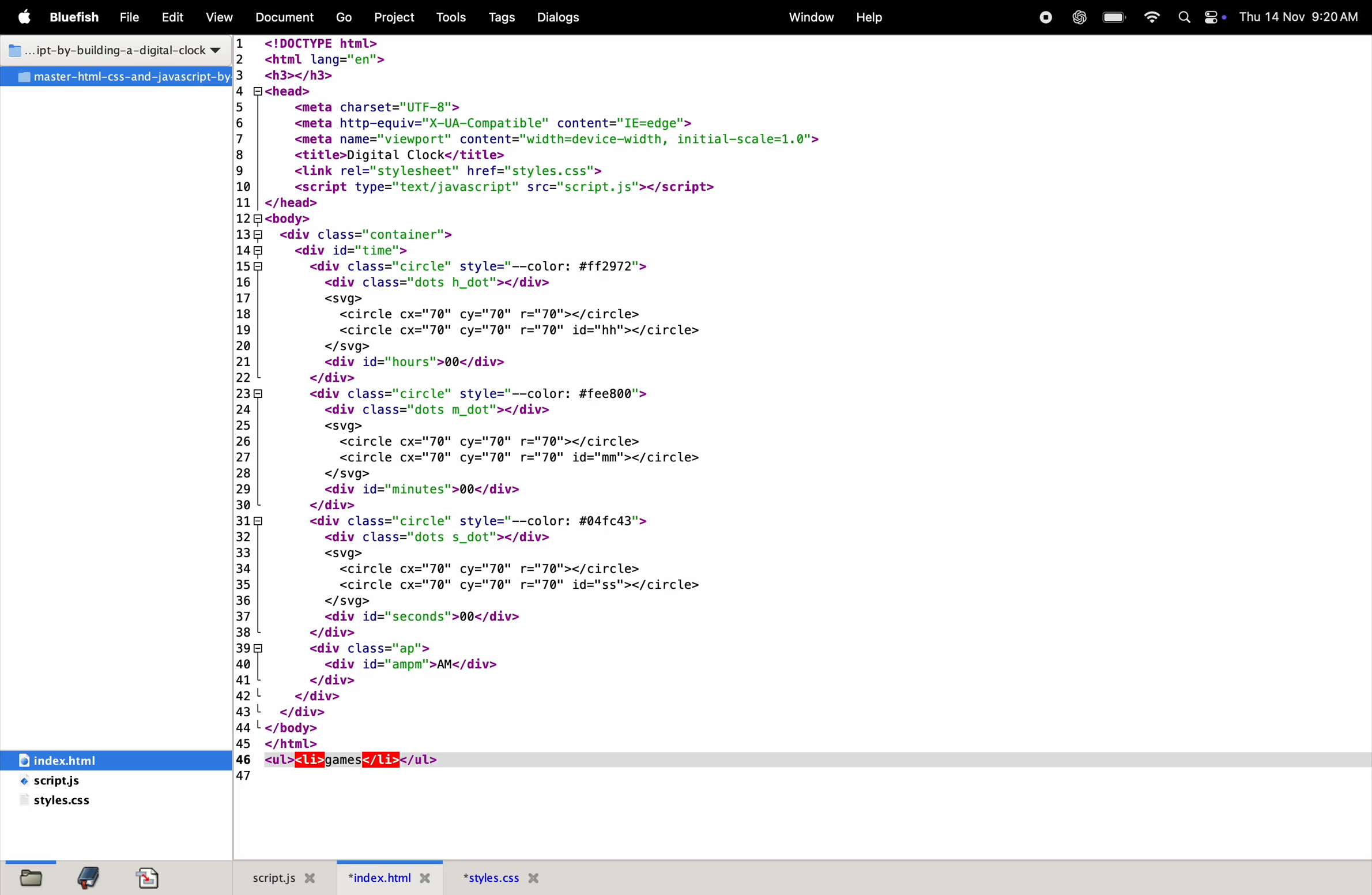  What do you see at coordinates (346, 18) in the screenshot?
I see `Go` at bounding box center [346, 18].